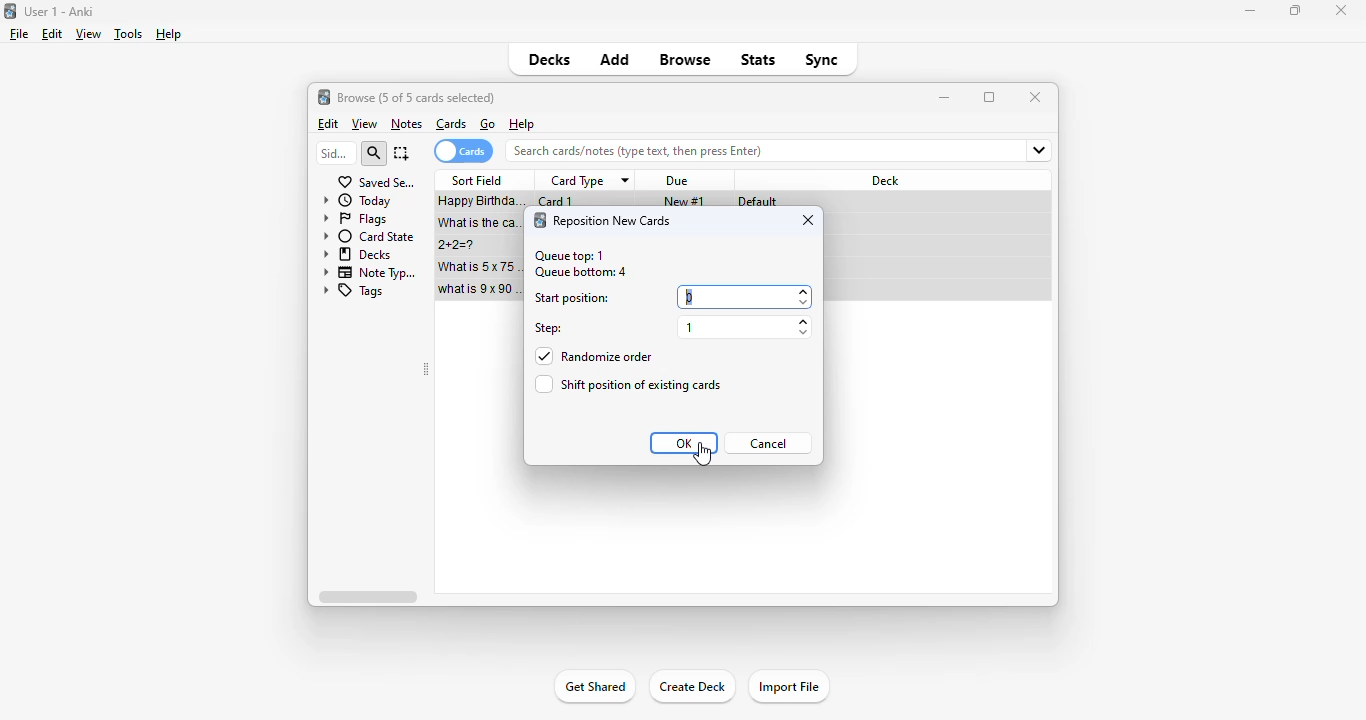 Image resolution: width=1366 pixels, height=720 pixels. What do you see at coordinates (789, 686) in the screenshot?
I see `import file` at bounding box center [789, 686].